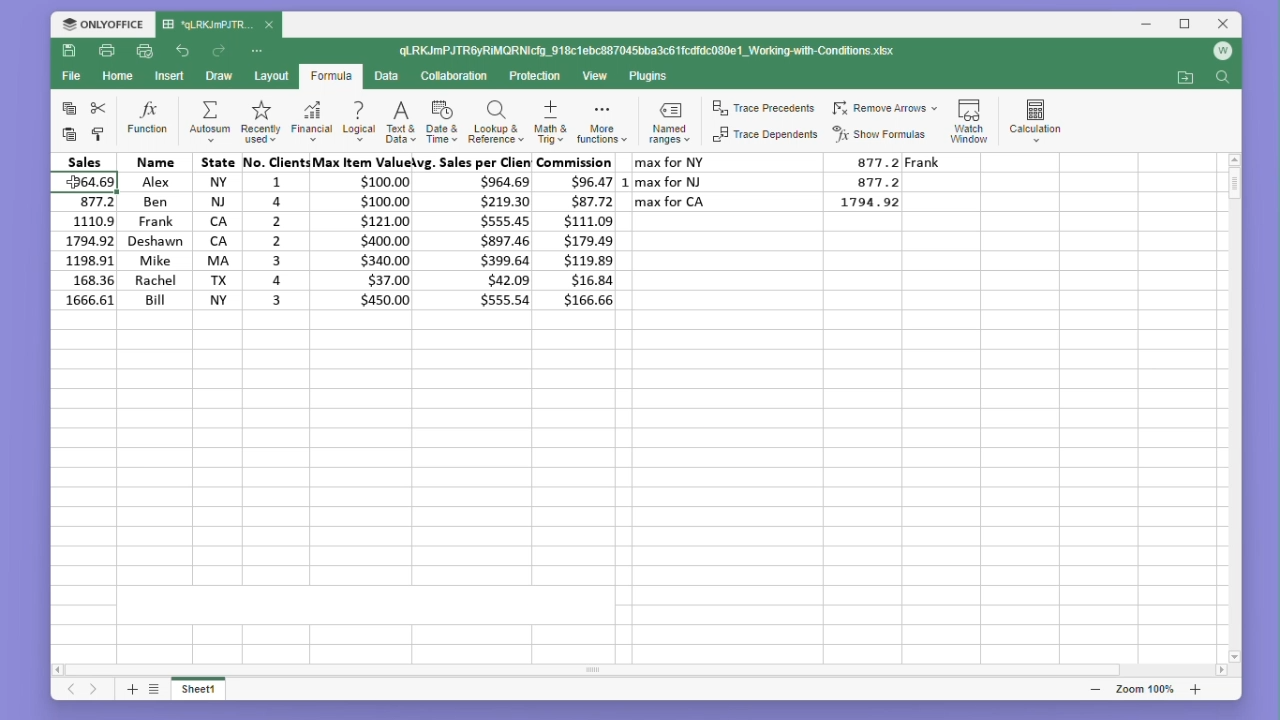  What do you see at coordinates (673, 121) in the screenshot?
I see `Named ranges` at bounding box center [673, 121].